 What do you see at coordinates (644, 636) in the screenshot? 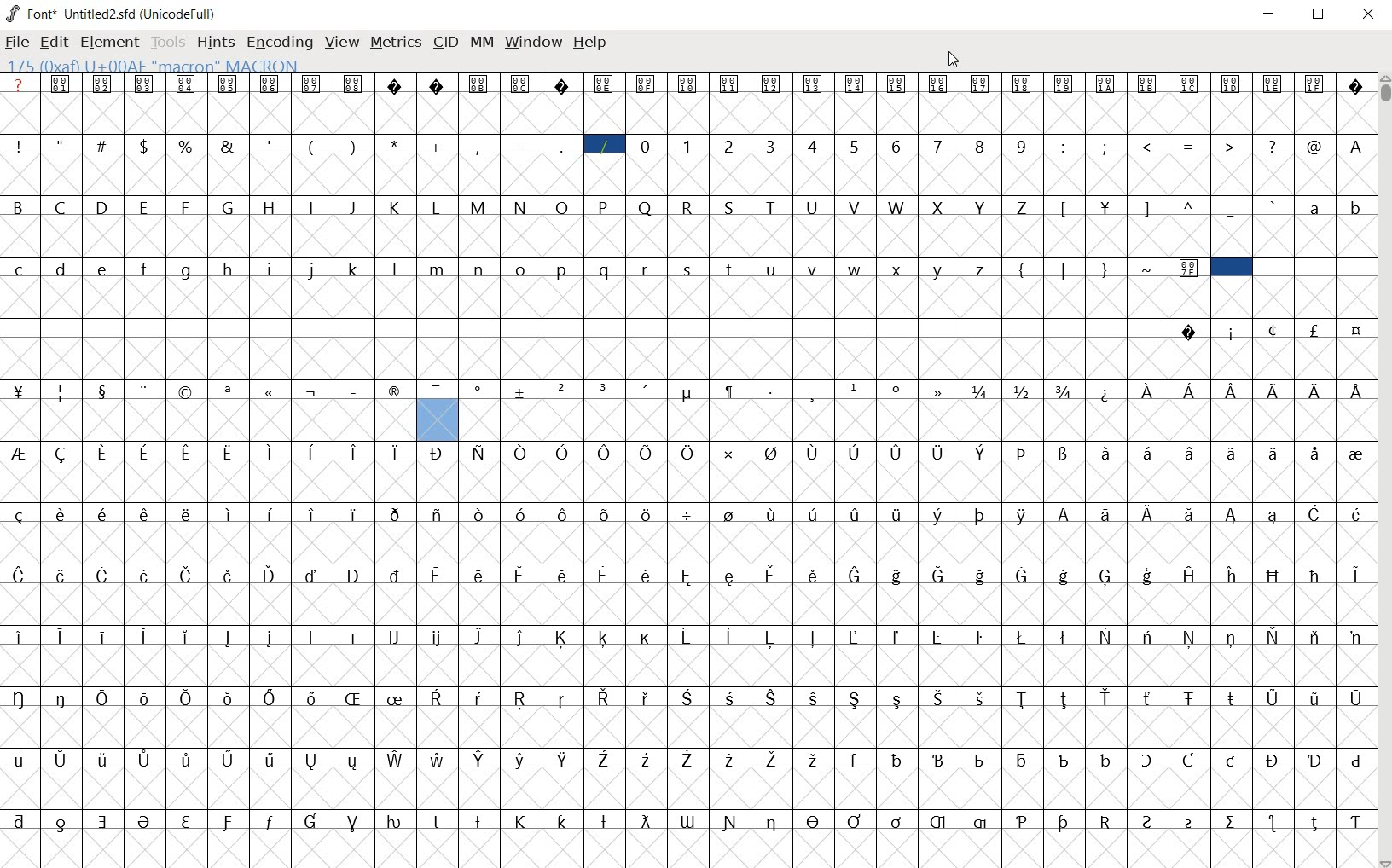
I see `Symbol` at bounding box center [644, 636].